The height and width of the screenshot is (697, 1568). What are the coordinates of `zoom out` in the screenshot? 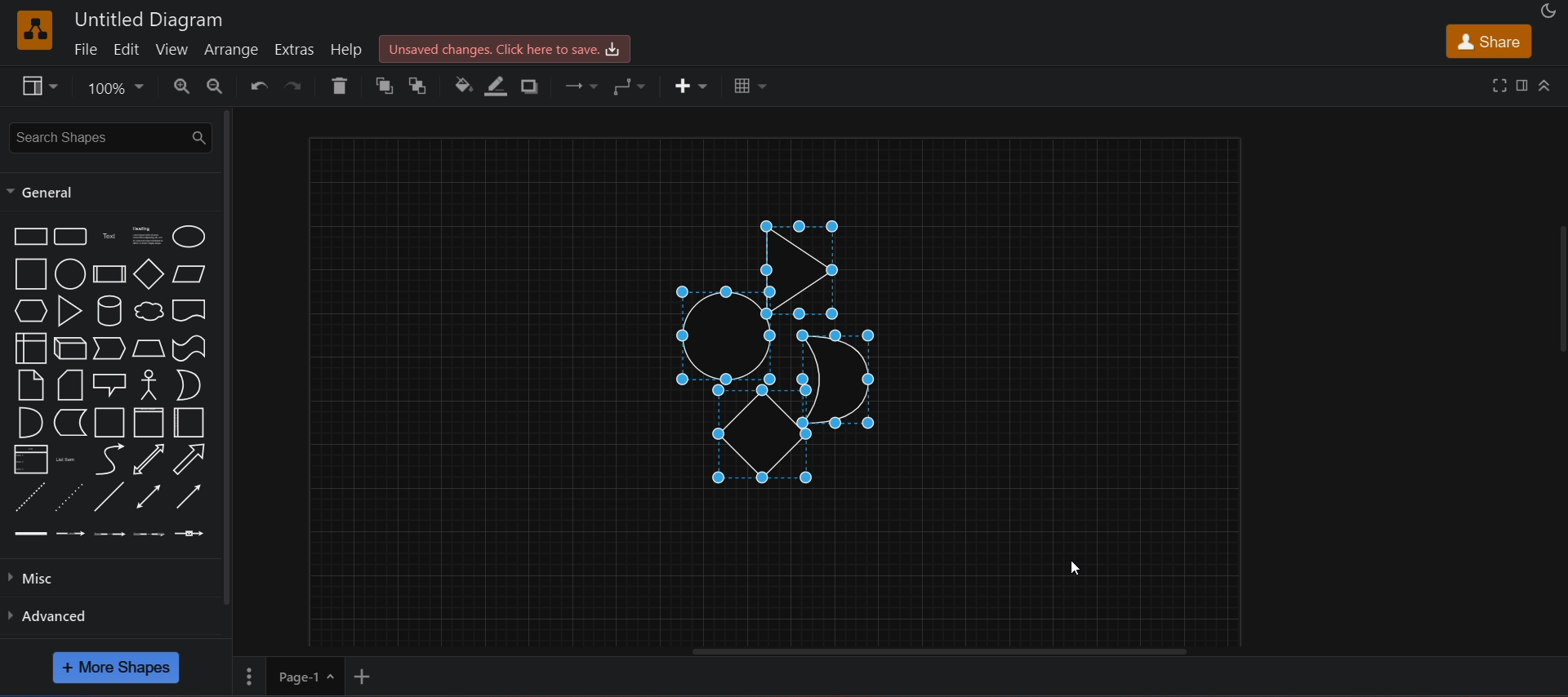 It's located at (217, 86).